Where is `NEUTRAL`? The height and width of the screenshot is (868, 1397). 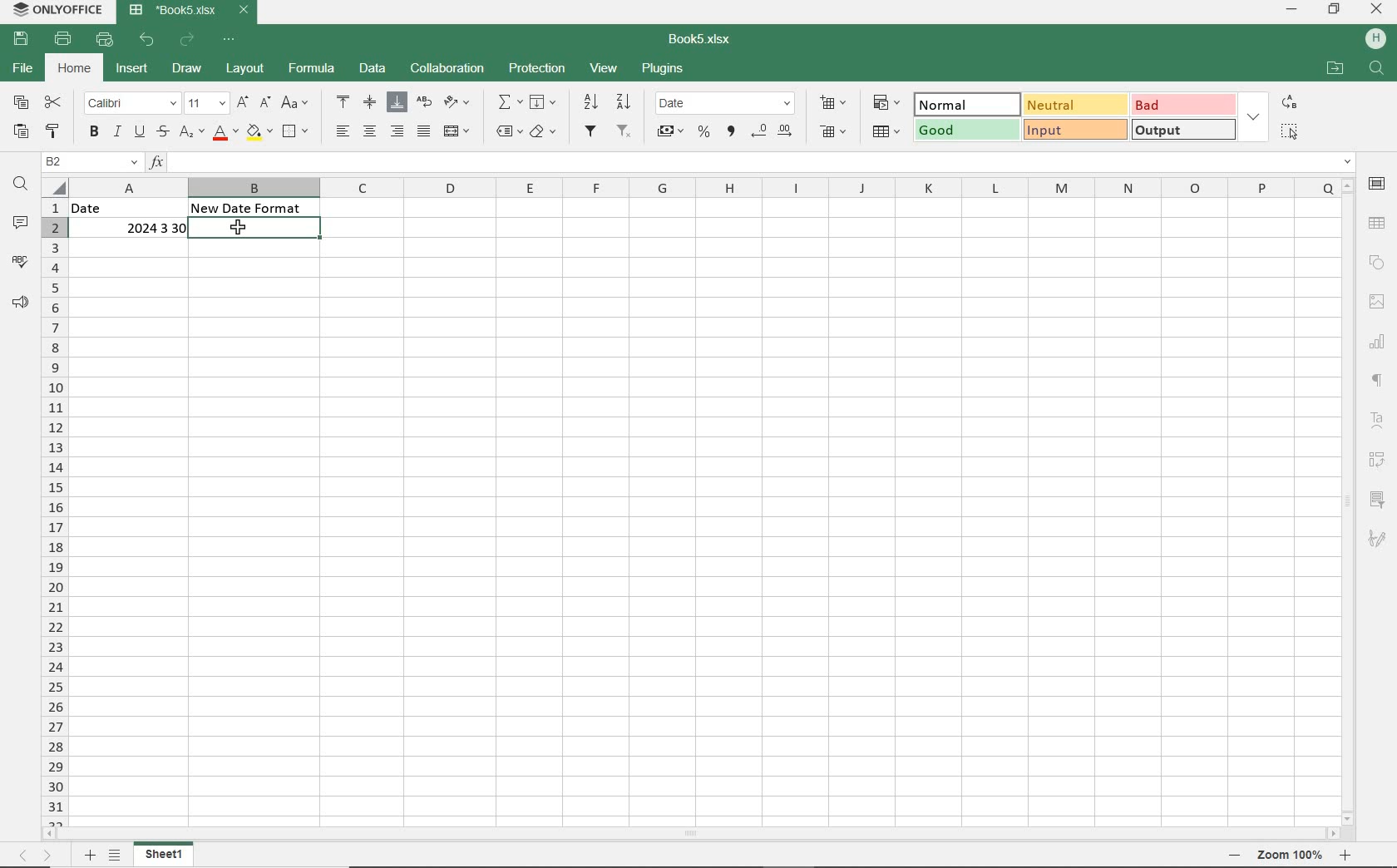 NEUTRAL is located at coordinates (1074, 104).